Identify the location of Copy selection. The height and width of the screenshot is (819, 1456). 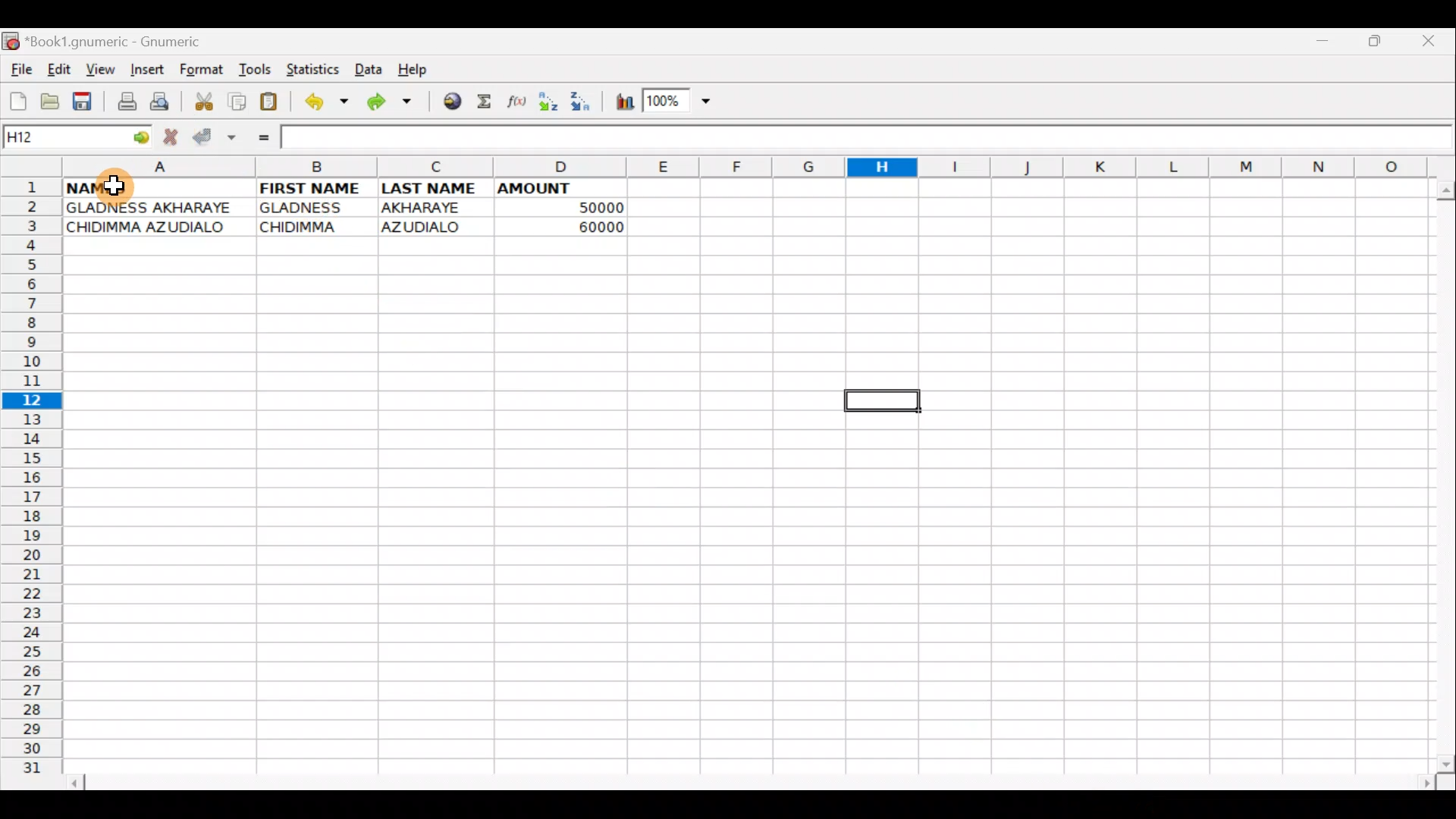
(237, 102).